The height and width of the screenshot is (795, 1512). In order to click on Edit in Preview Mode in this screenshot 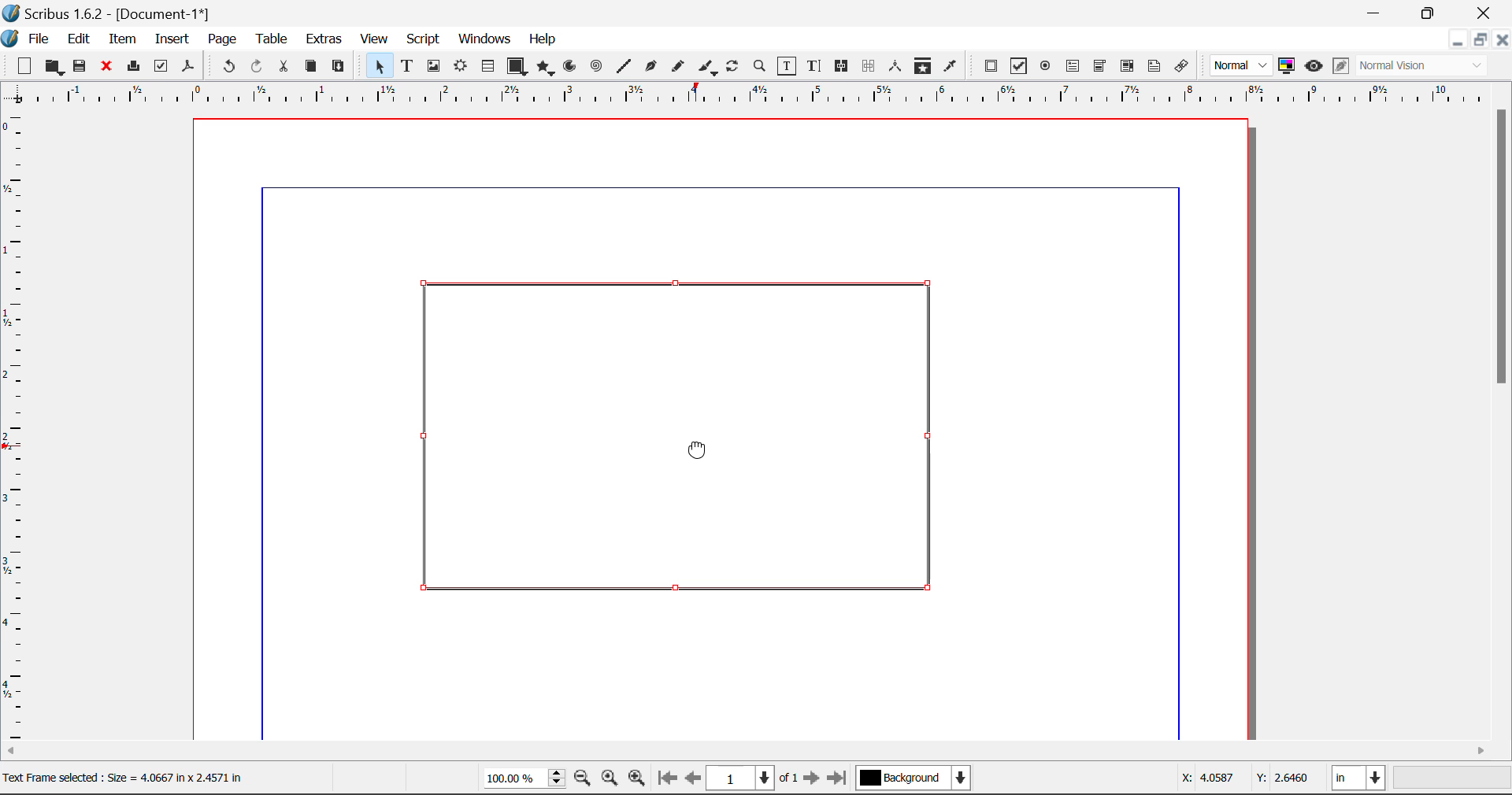, I will do `click(1340, 68)`.